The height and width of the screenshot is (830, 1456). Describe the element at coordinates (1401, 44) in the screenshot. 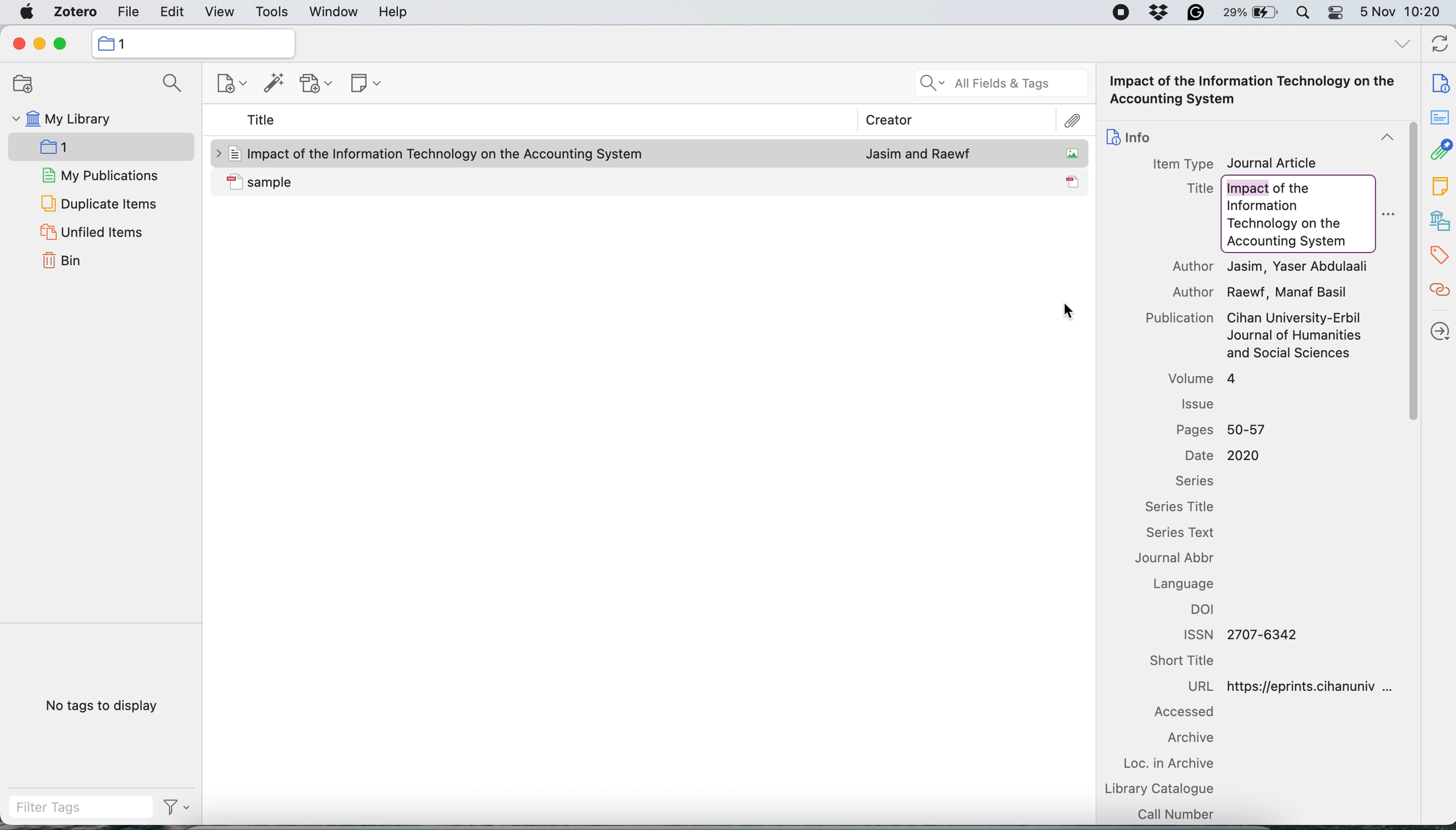

I see `all tags` at that location.